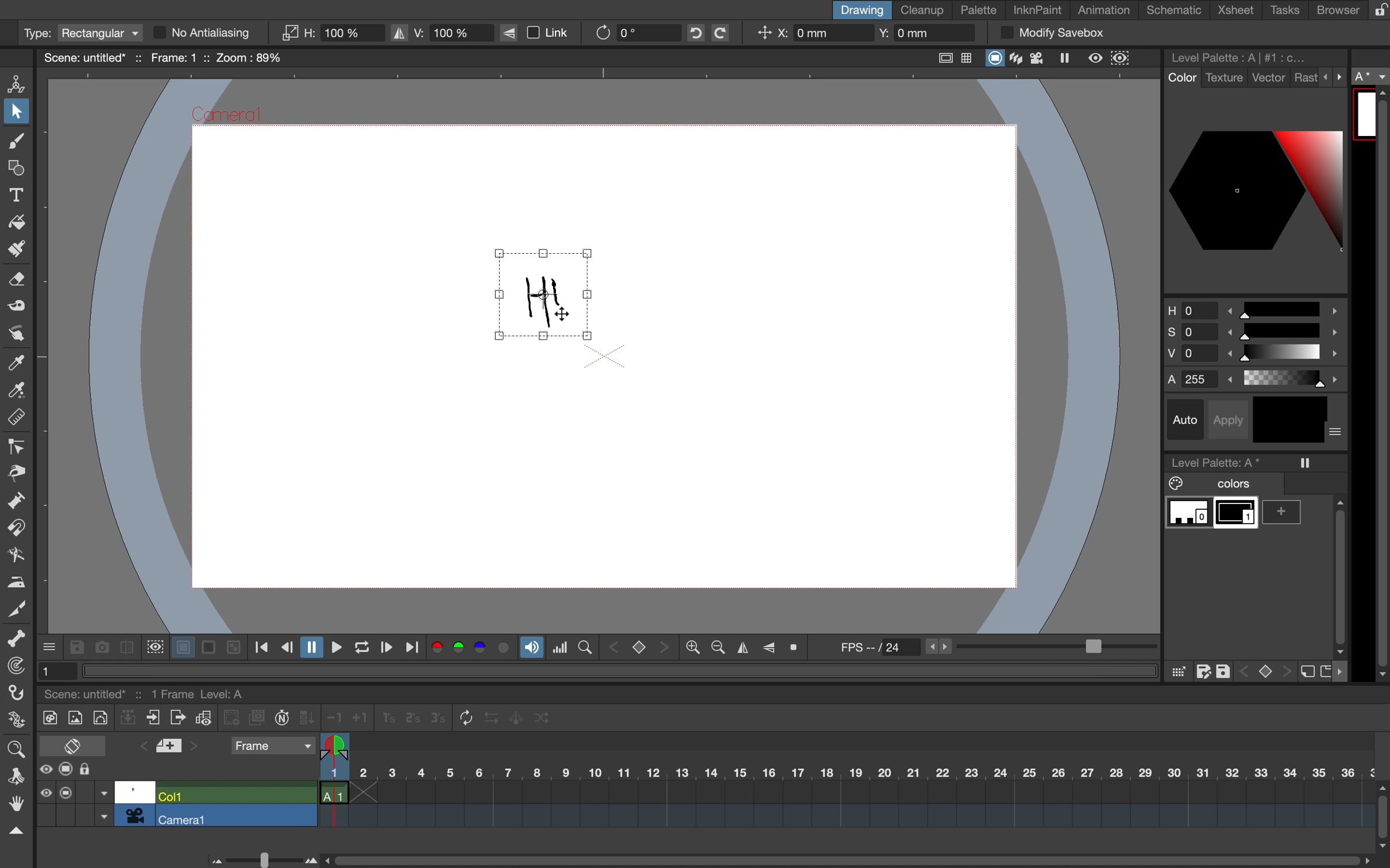 Image resolution: width=1390 pixels, height=868 pixels. Describe the element at coordinates (1242, 57) in the screenshot. I see `level palette` at that location.